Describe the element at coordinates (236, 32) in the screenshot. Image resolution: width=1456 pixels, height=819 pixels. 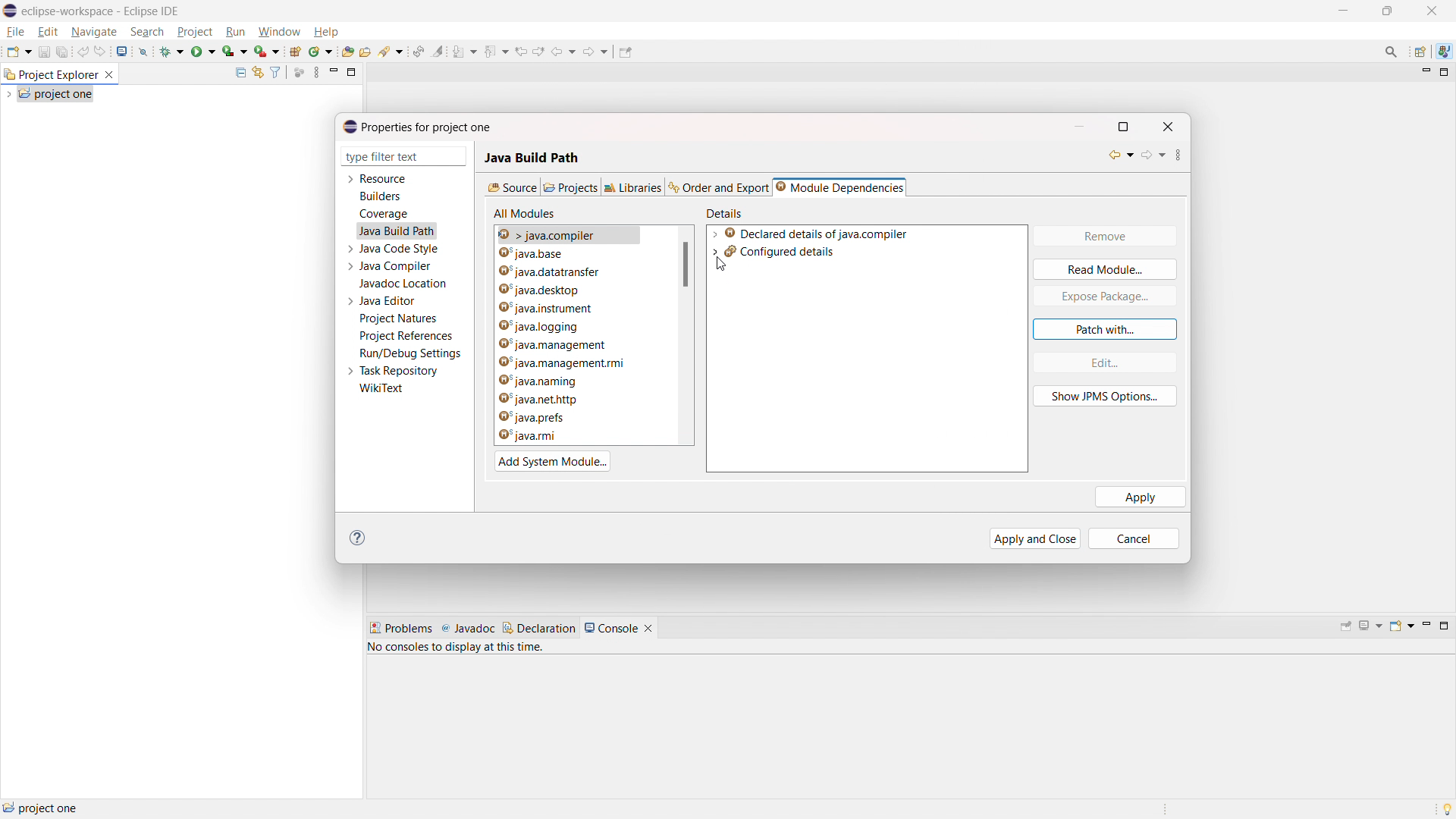
I see `run` at that location.